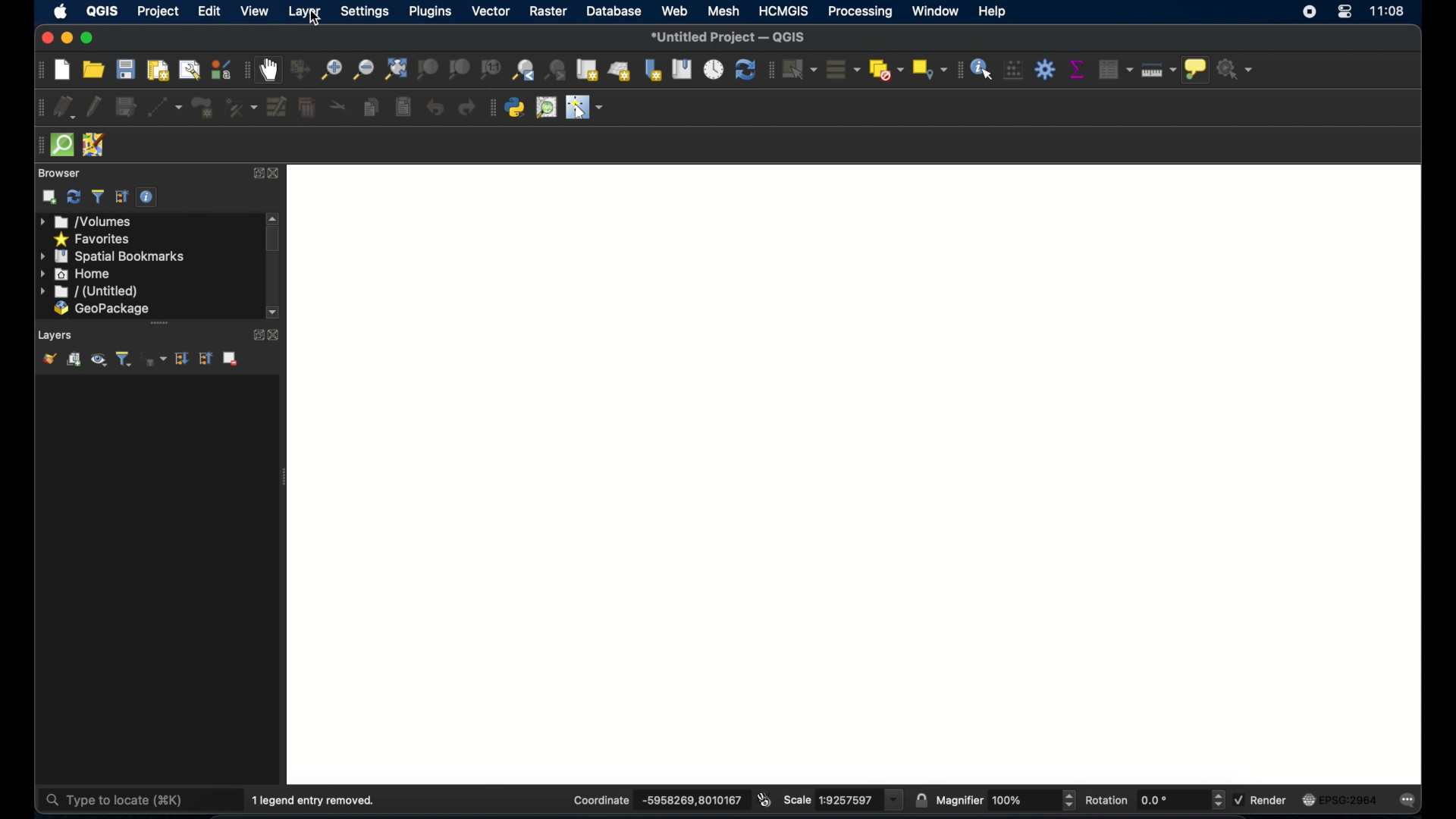  What do you see at coordinates (840, 69) in the screenshot?
I see `select all features` at bounding box center [840, 69].